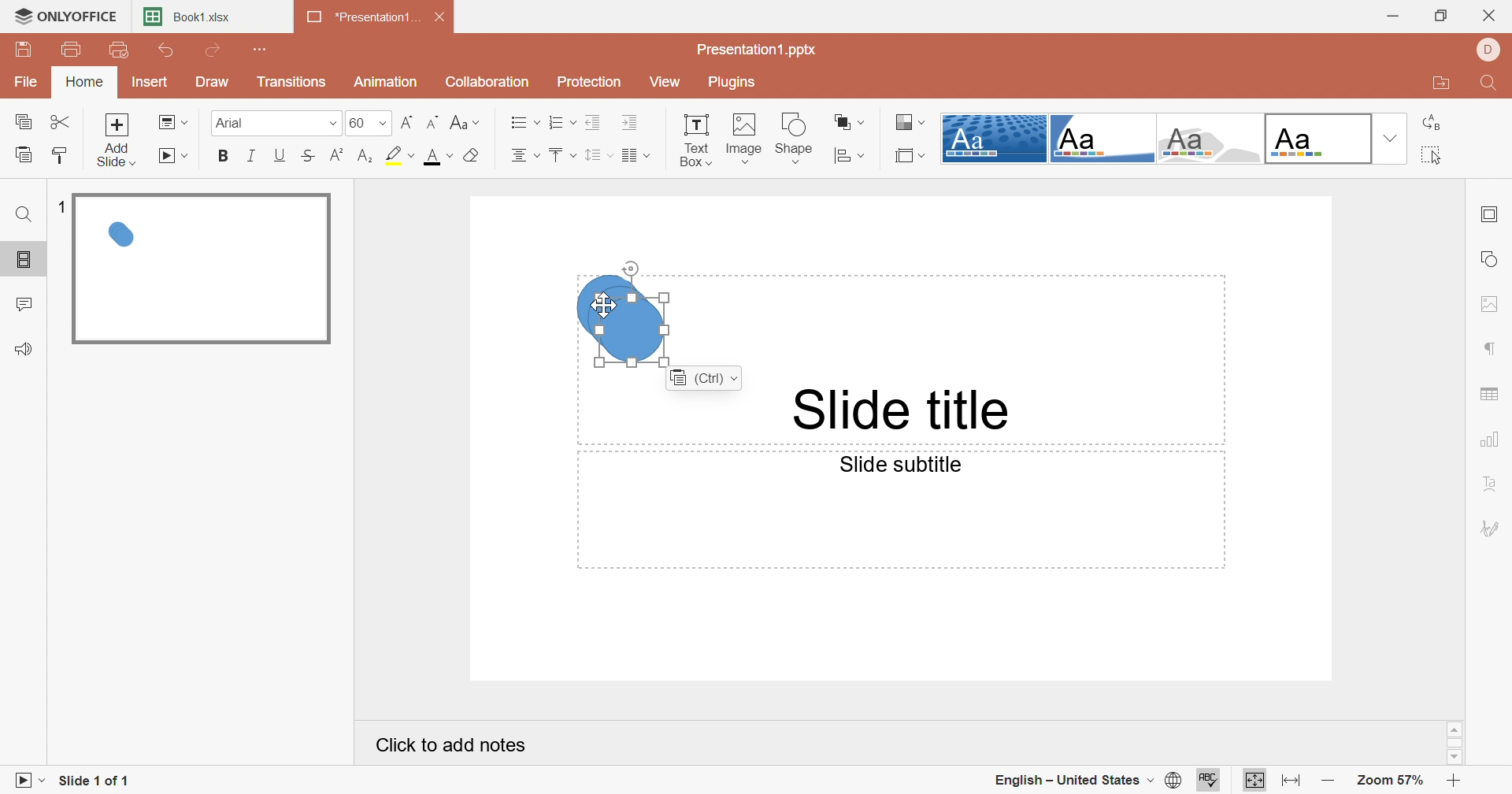 This screenshot has height=794, width=1512. Describe the element at coordinates (268, 121) in the screenshot. I see `Font` at that location.